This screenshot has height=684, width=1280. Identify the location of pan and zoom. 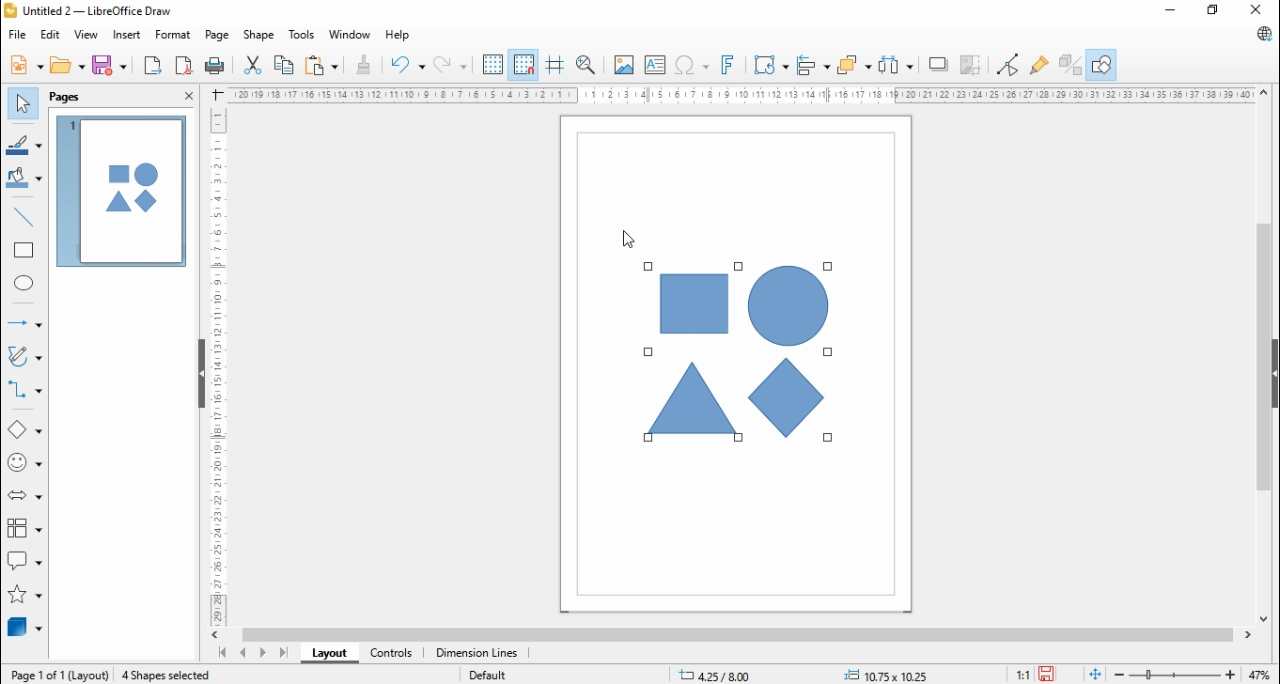
(587, 64).